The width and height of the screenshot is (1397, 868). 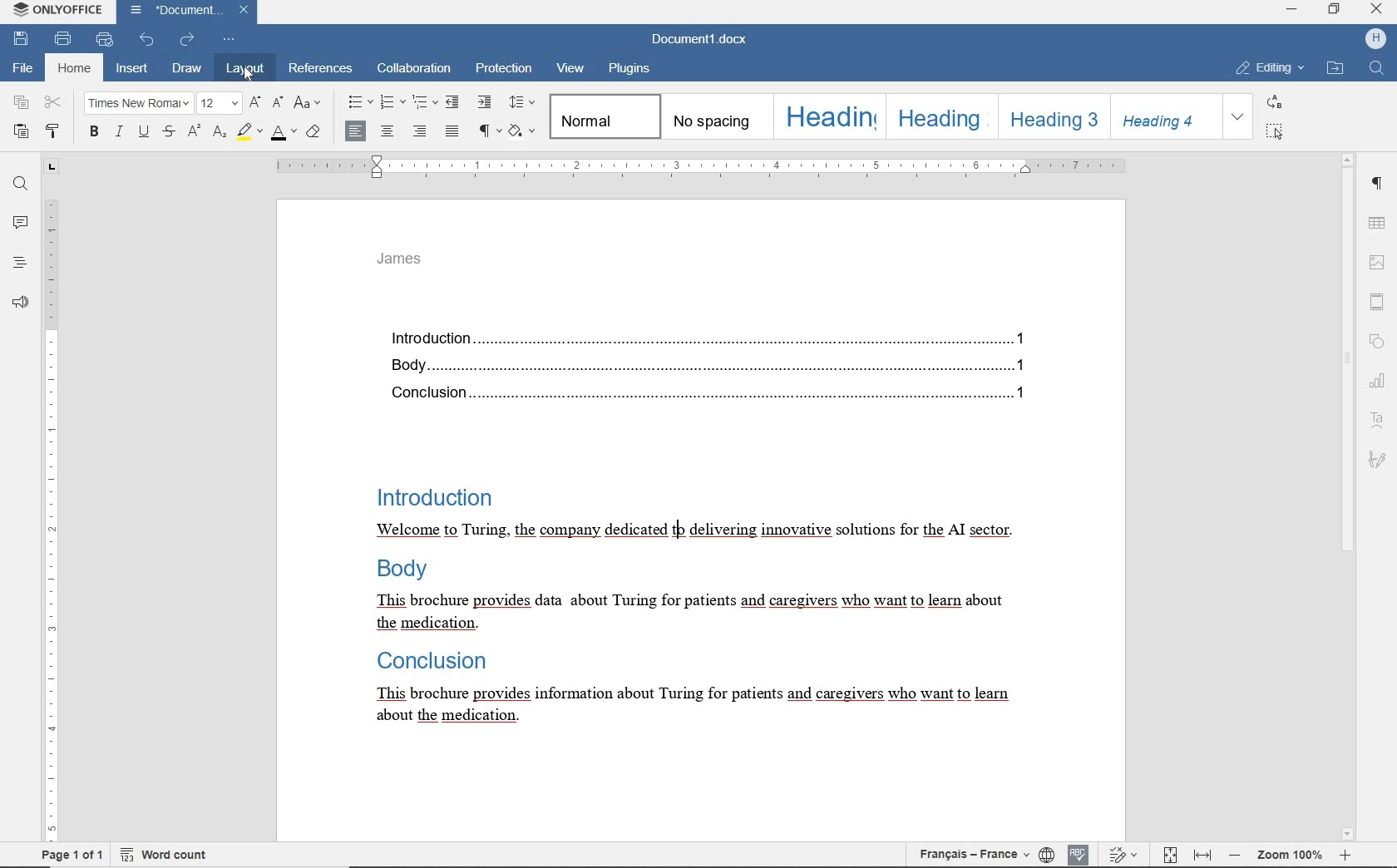 I want to click on restore down, so click(x=1335, y=11).